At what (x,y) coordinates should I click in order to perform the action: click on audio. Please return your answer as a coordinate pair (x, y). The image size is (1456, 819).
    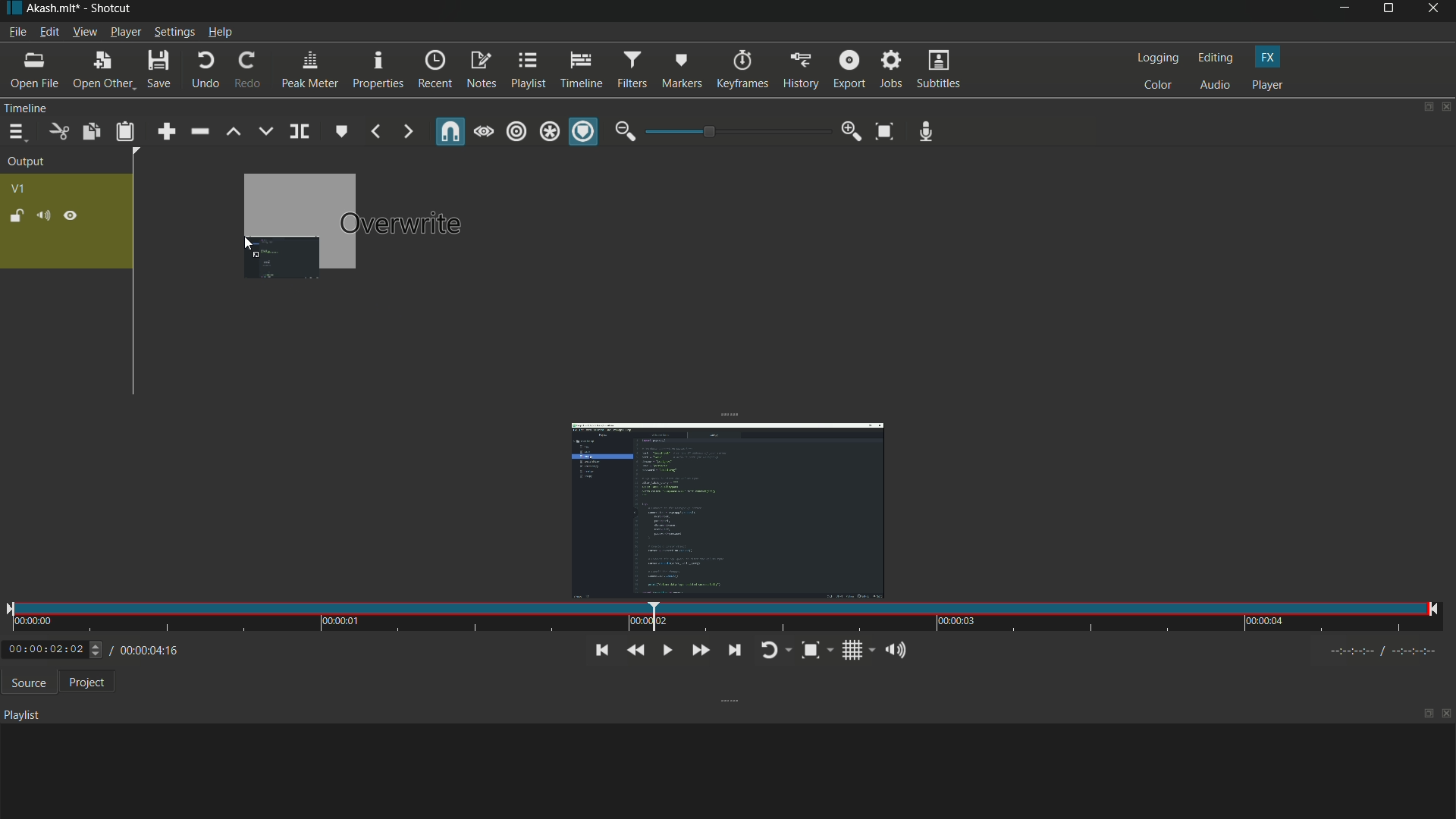
    Looking at the image, I should click on (1216, 86).